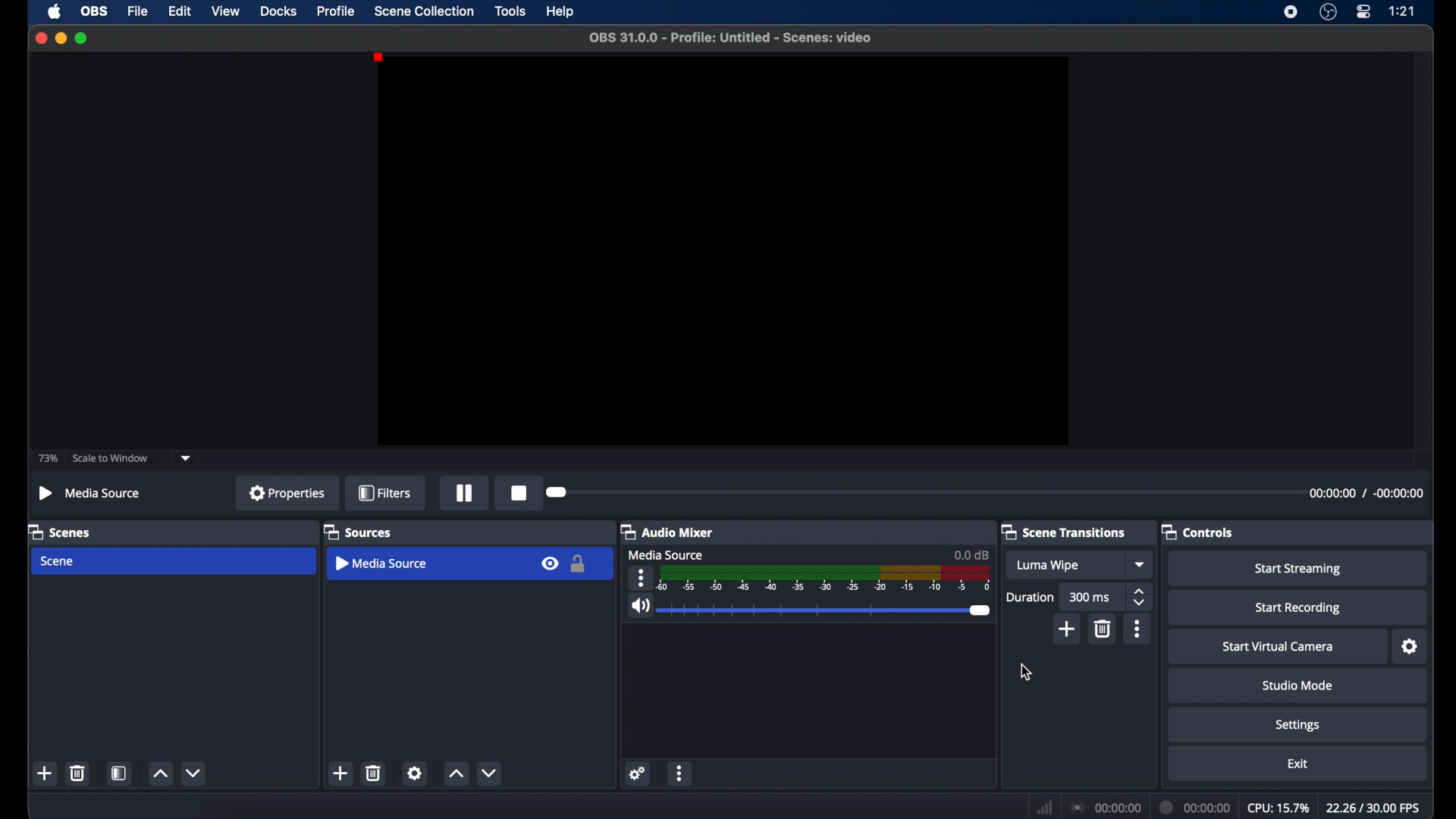 This screenshot has width=1456, height=819. Describe the element at coordinates (1028, 672) in the screenshot. I see `cursor` at that location.